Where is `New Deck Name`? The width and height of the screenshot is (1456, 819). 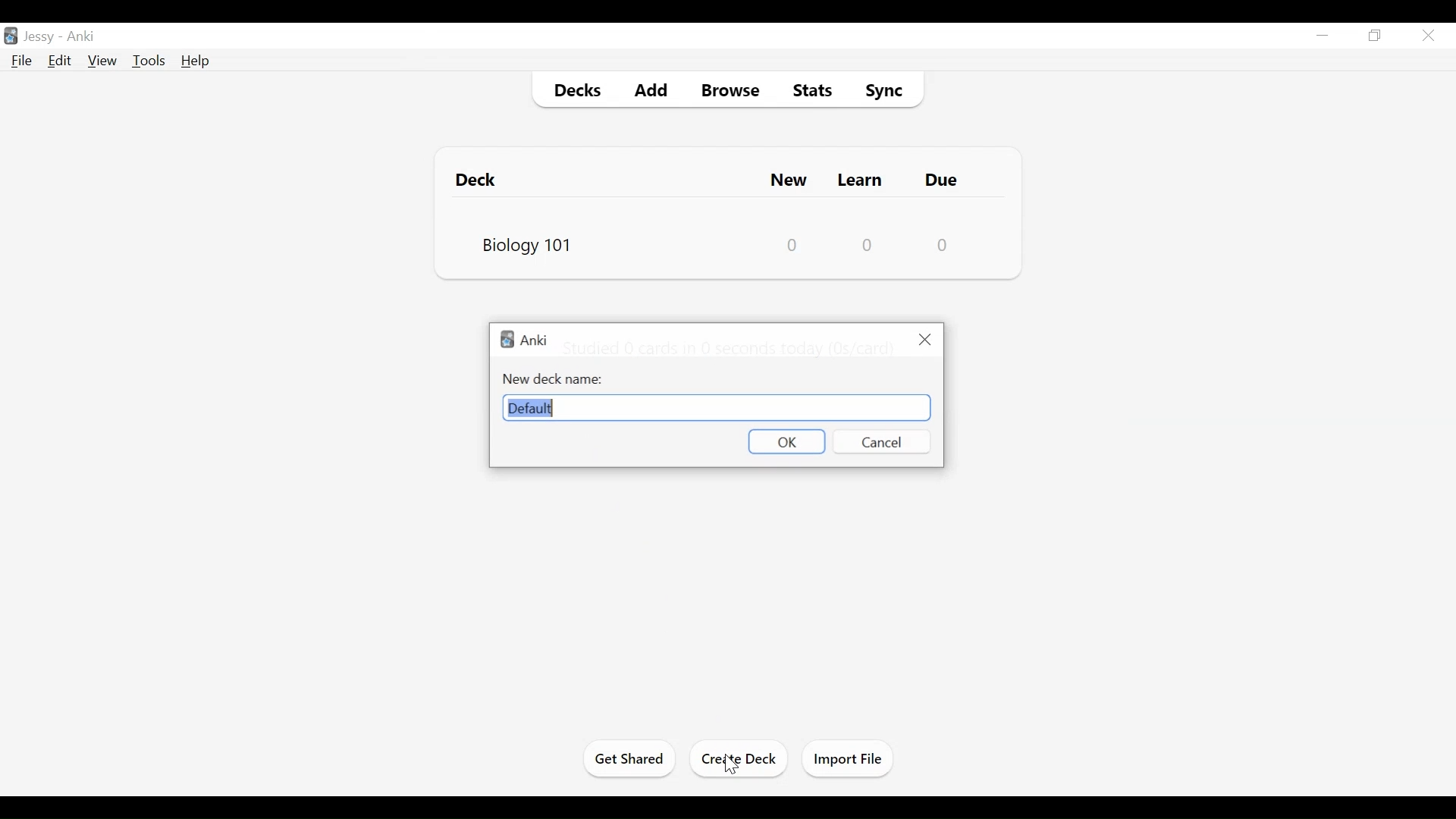
New Deck Name is located at coordinates (551, 379).